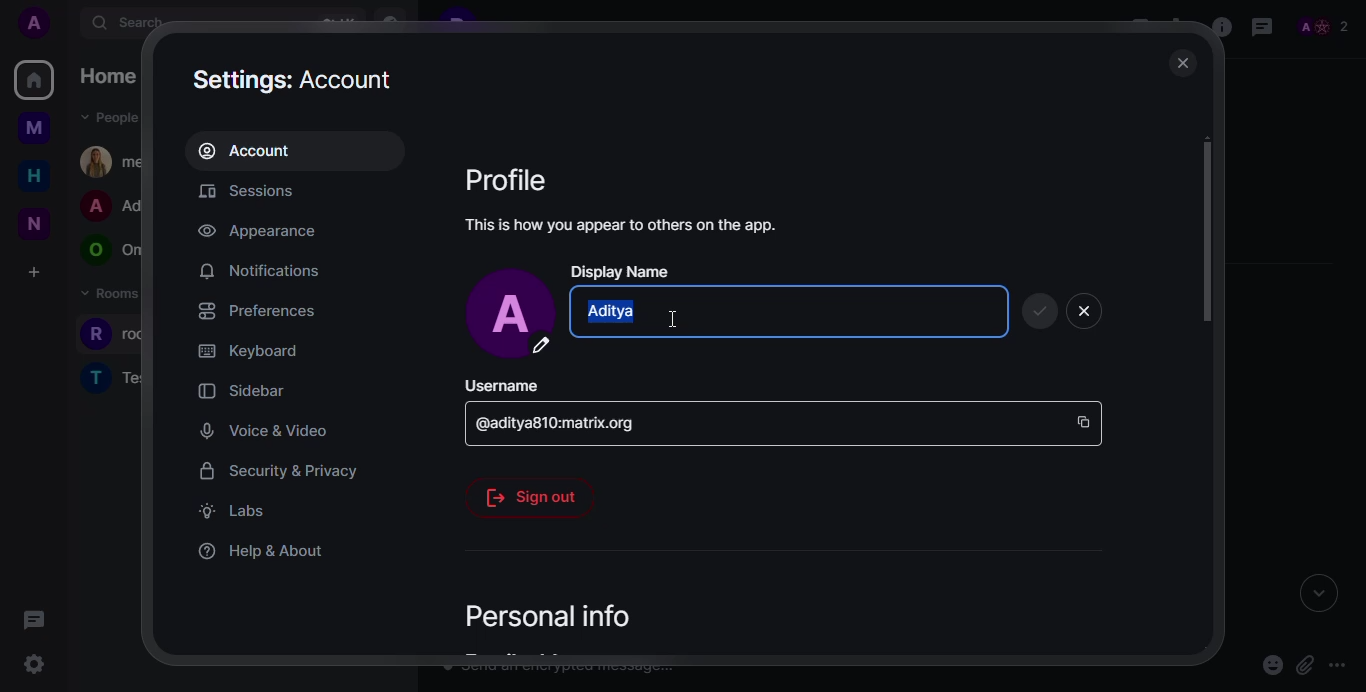  Describe the element at coordinates (233, 510) in the screenshot. I see `labs` at that location.